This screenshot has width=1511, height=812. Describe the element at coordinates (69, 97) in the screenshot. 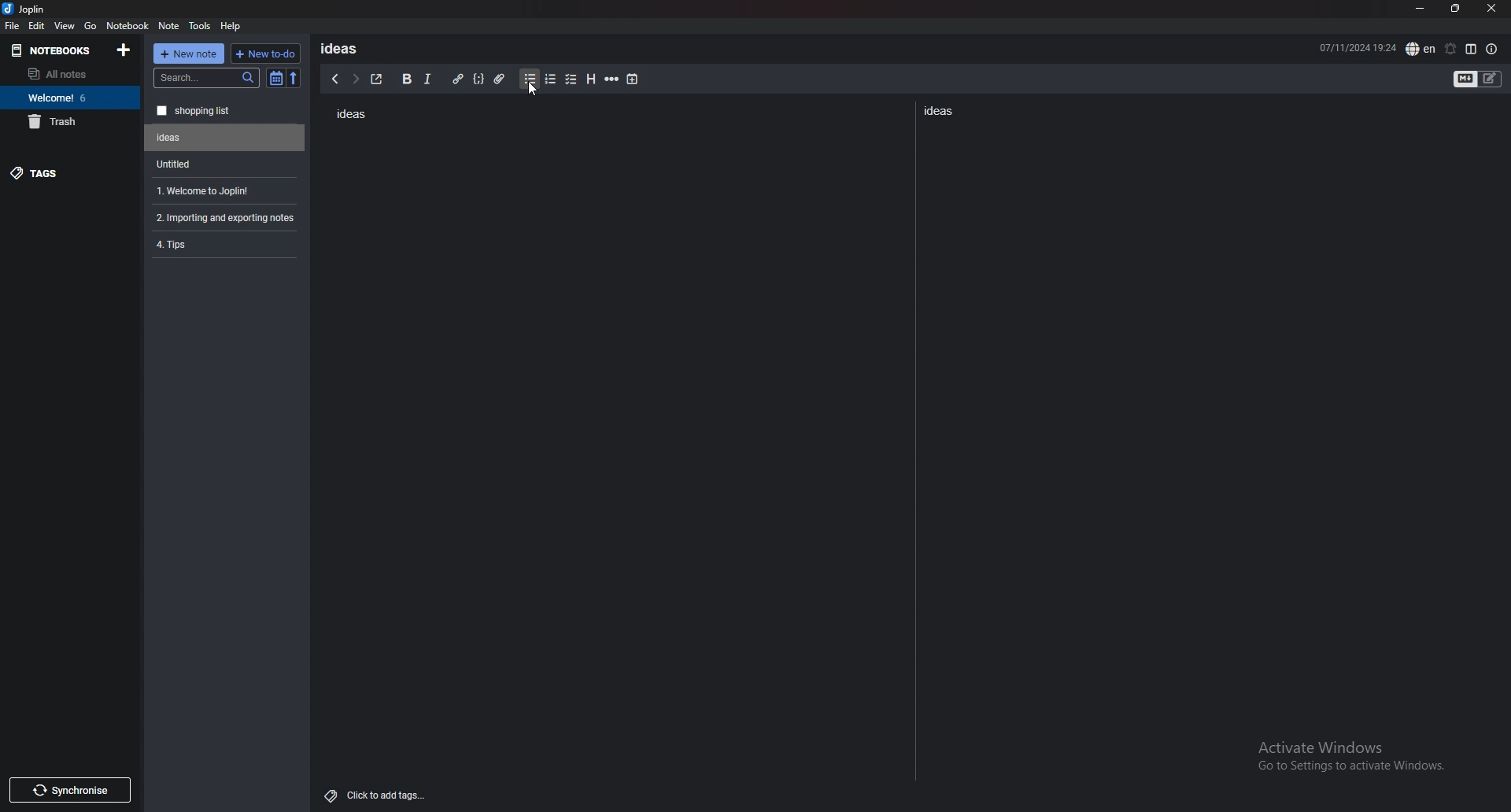

I see `Welcome` at that location.